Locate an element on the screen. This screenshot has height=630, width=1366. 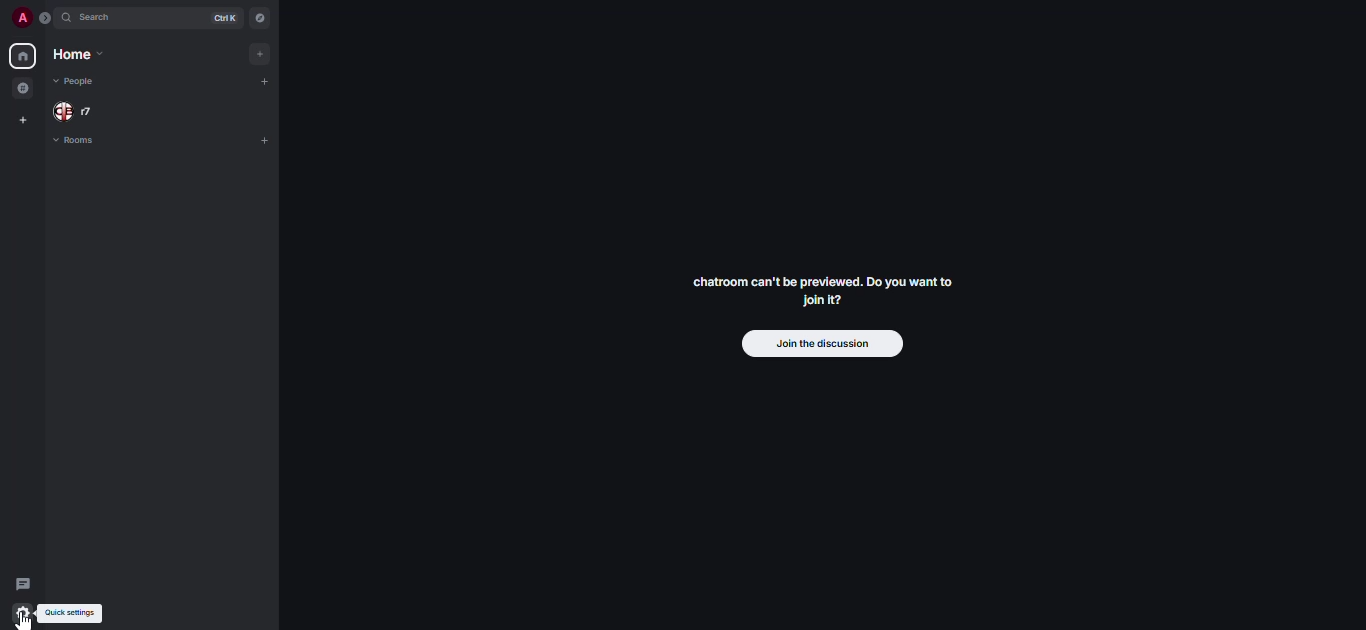
search is located at coordinates (101, 20).